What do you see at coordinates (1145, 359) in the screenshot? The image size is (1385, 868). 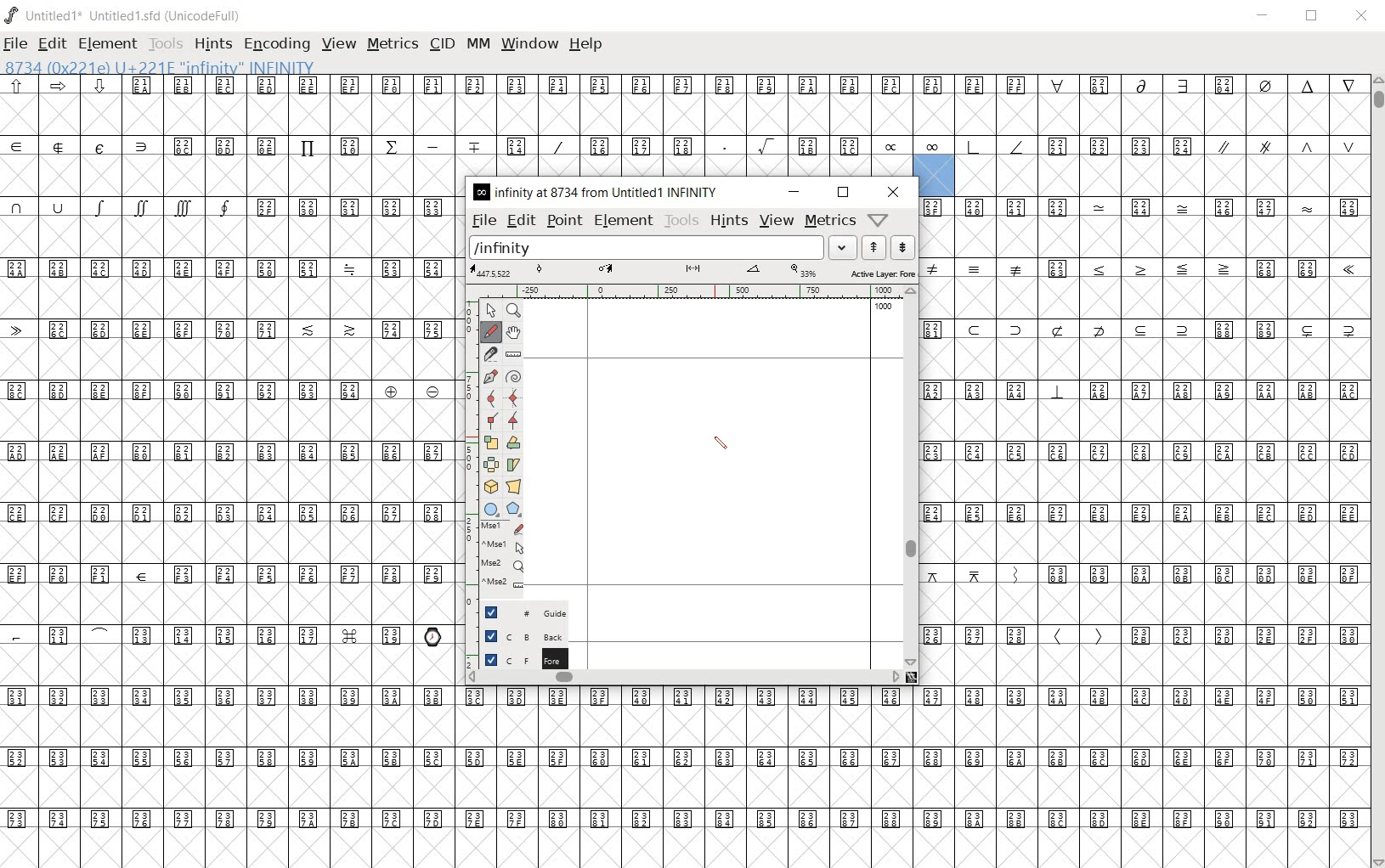 I see `empty glyph slots` at bounding box center [1145, 359].